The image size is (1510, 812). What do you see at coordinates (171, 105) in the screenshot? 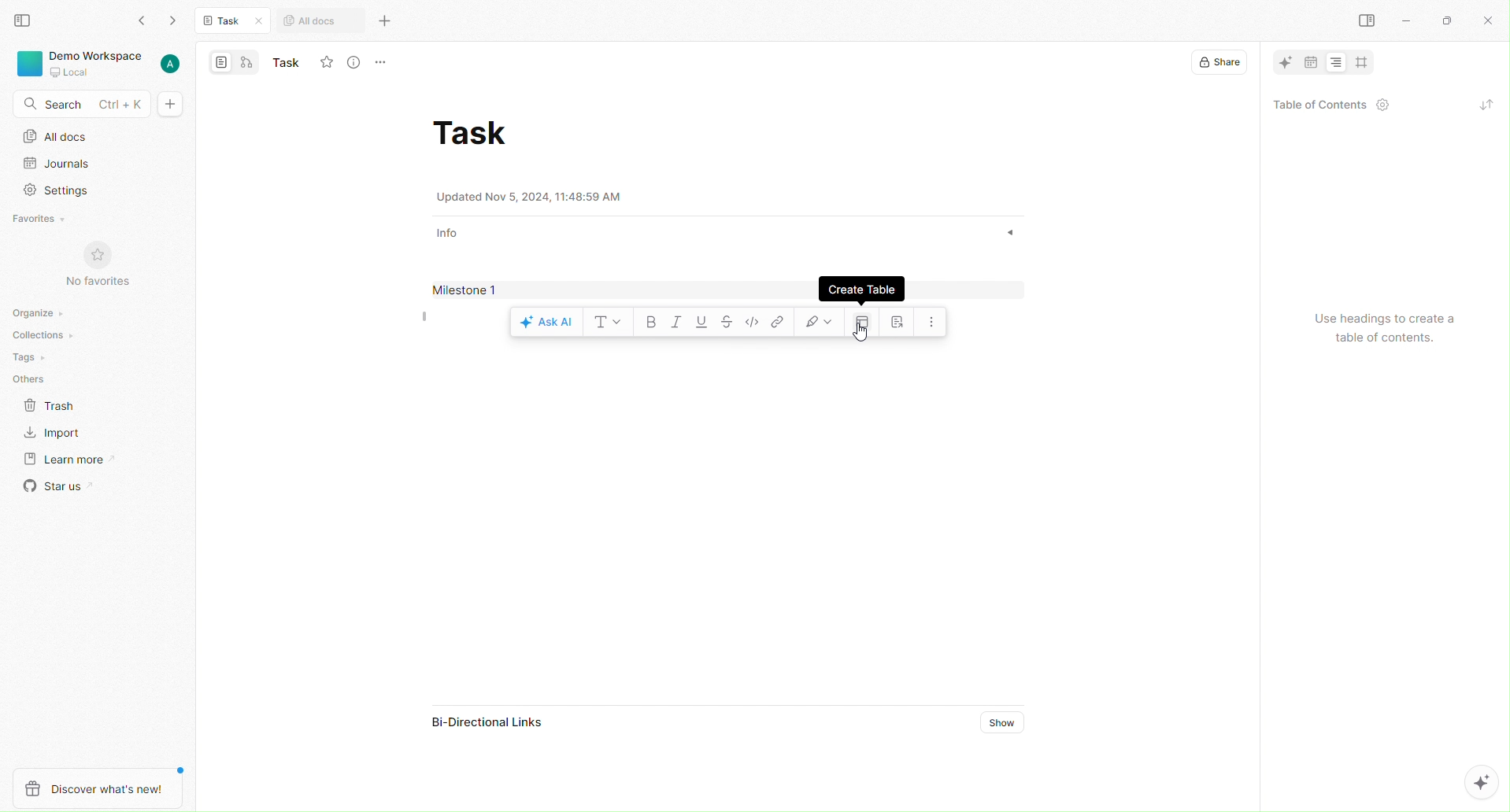
I see `Add` at bounding box center [171, 105].